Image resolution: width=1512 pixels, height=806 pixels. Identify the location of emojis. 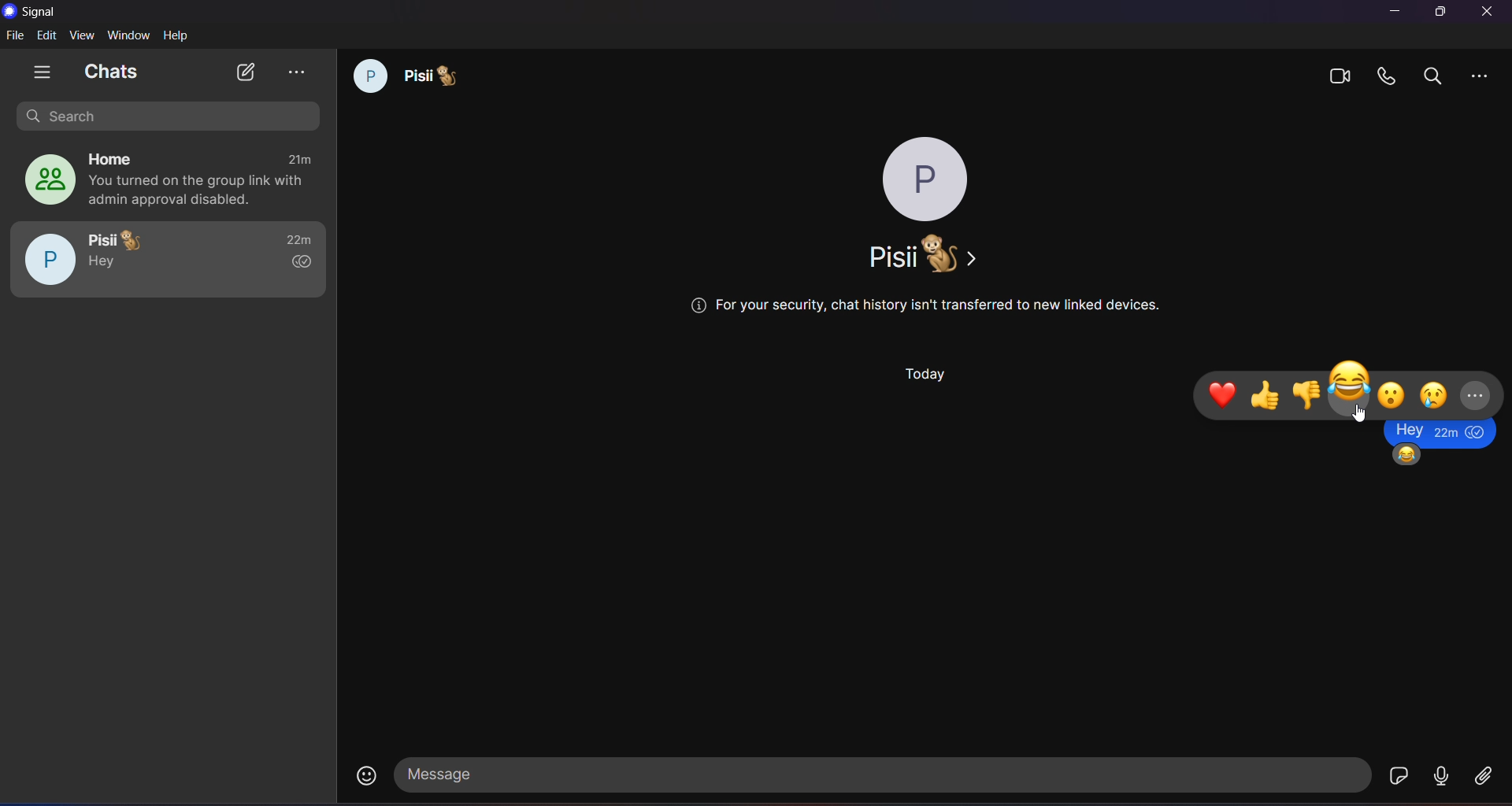
(369, 777).